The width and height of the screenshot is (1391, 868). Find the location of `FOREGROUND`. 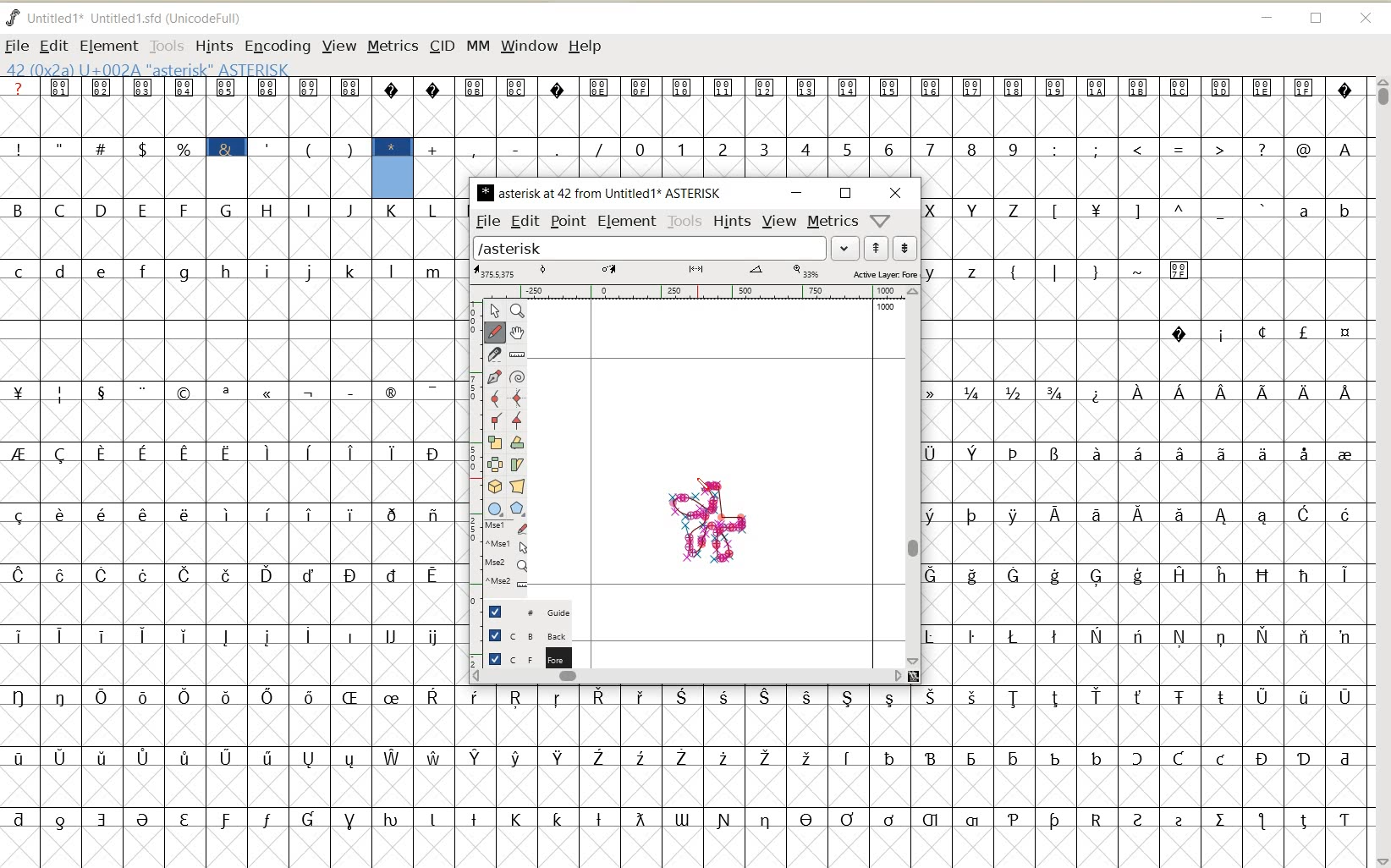

FOREGROUND is located at coordinates (521, 657).